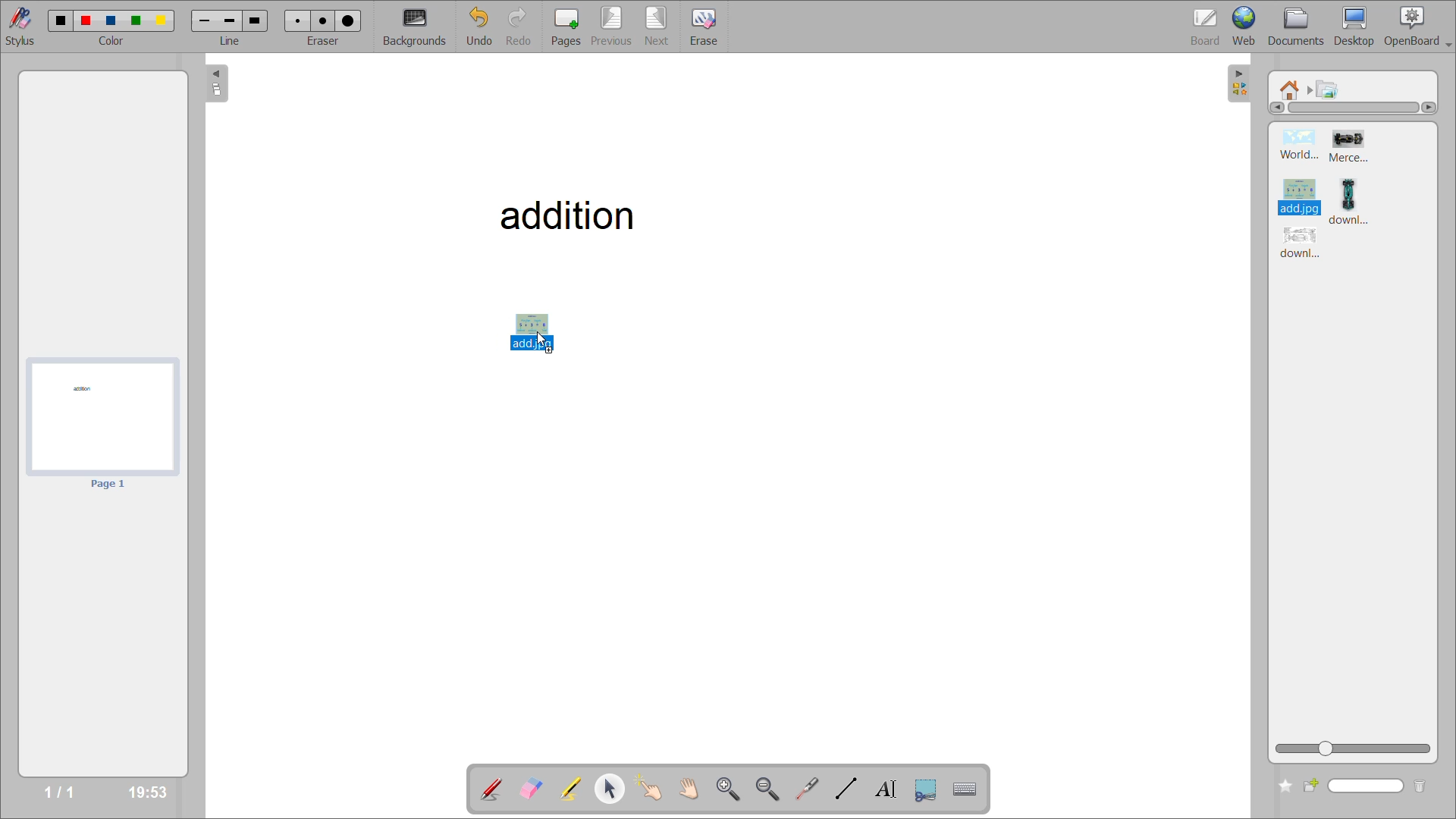  I want to click on erase, so click(704, 28).